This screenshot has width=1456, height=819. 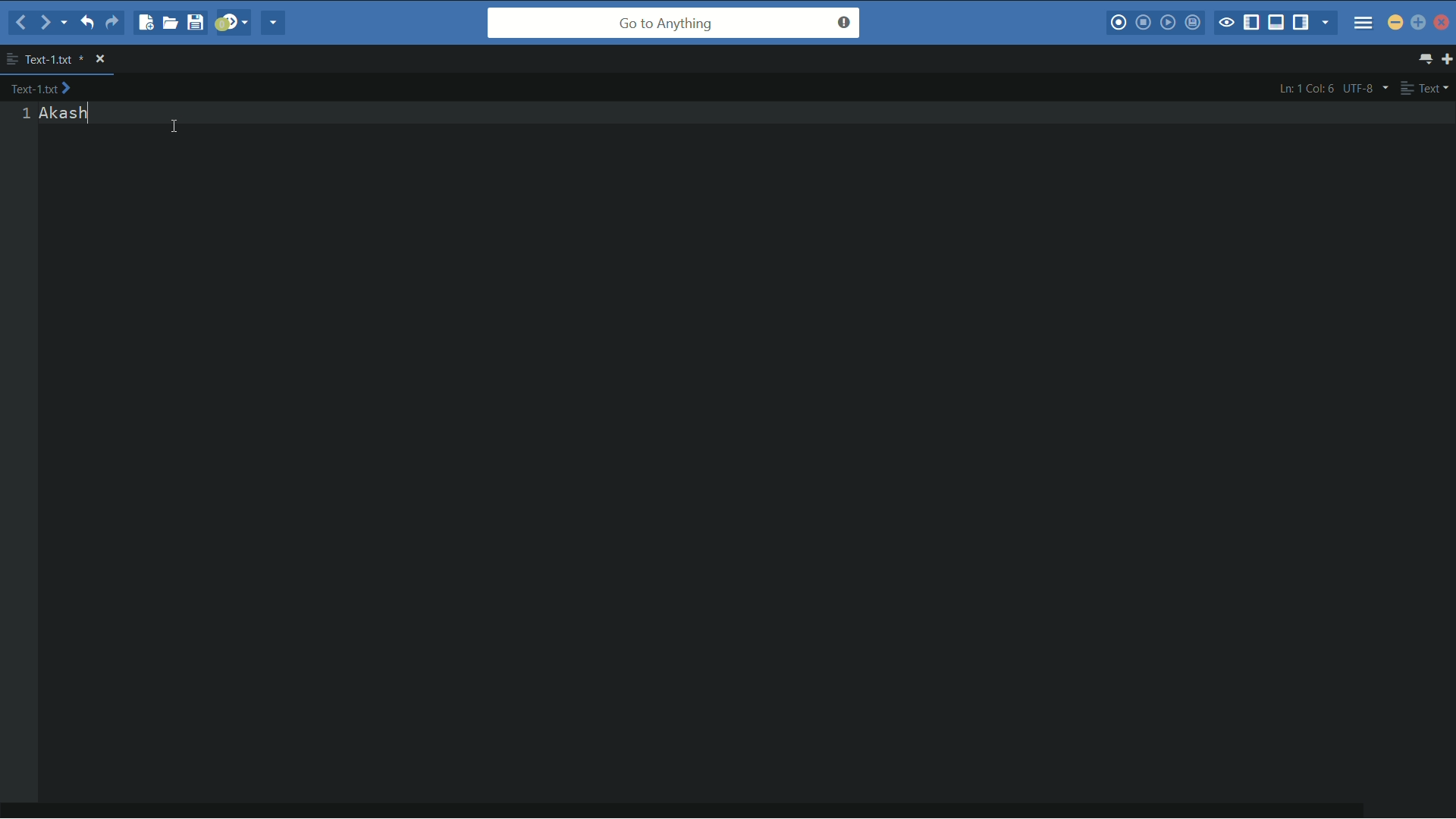 I want to click on Akash, so click(x=66, y=114).